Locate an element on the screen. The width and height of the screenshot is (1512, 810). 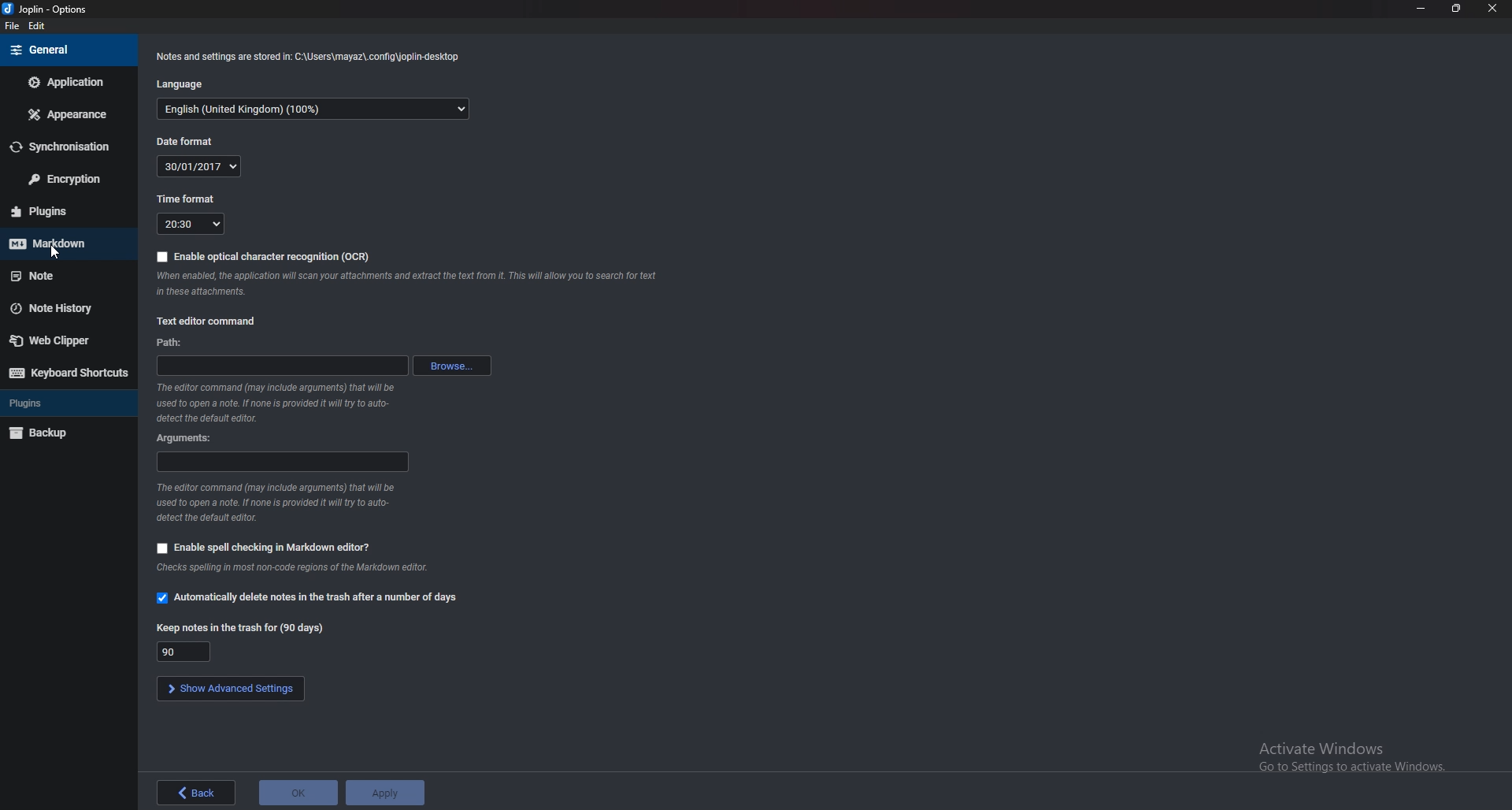
Show advanced settings is located at coordinates (231, 689).